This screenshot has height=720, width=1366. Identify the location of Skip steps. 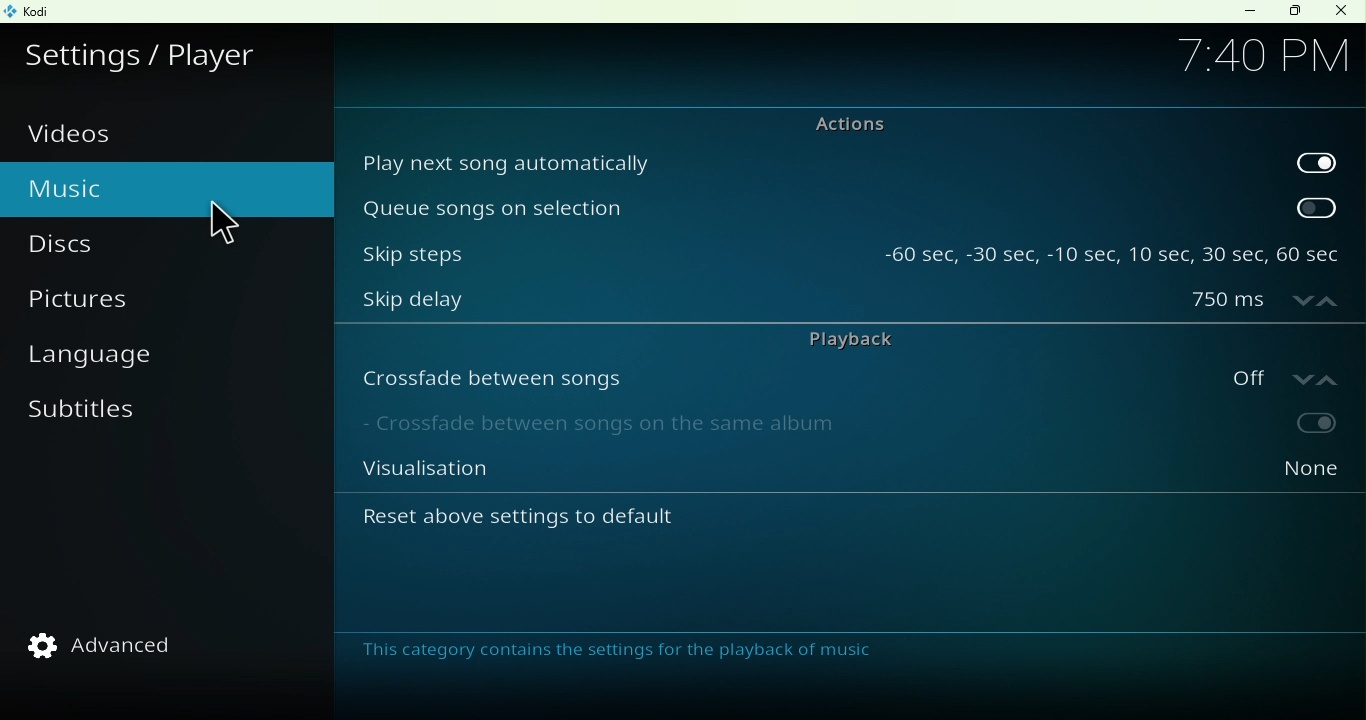
(606, 248).